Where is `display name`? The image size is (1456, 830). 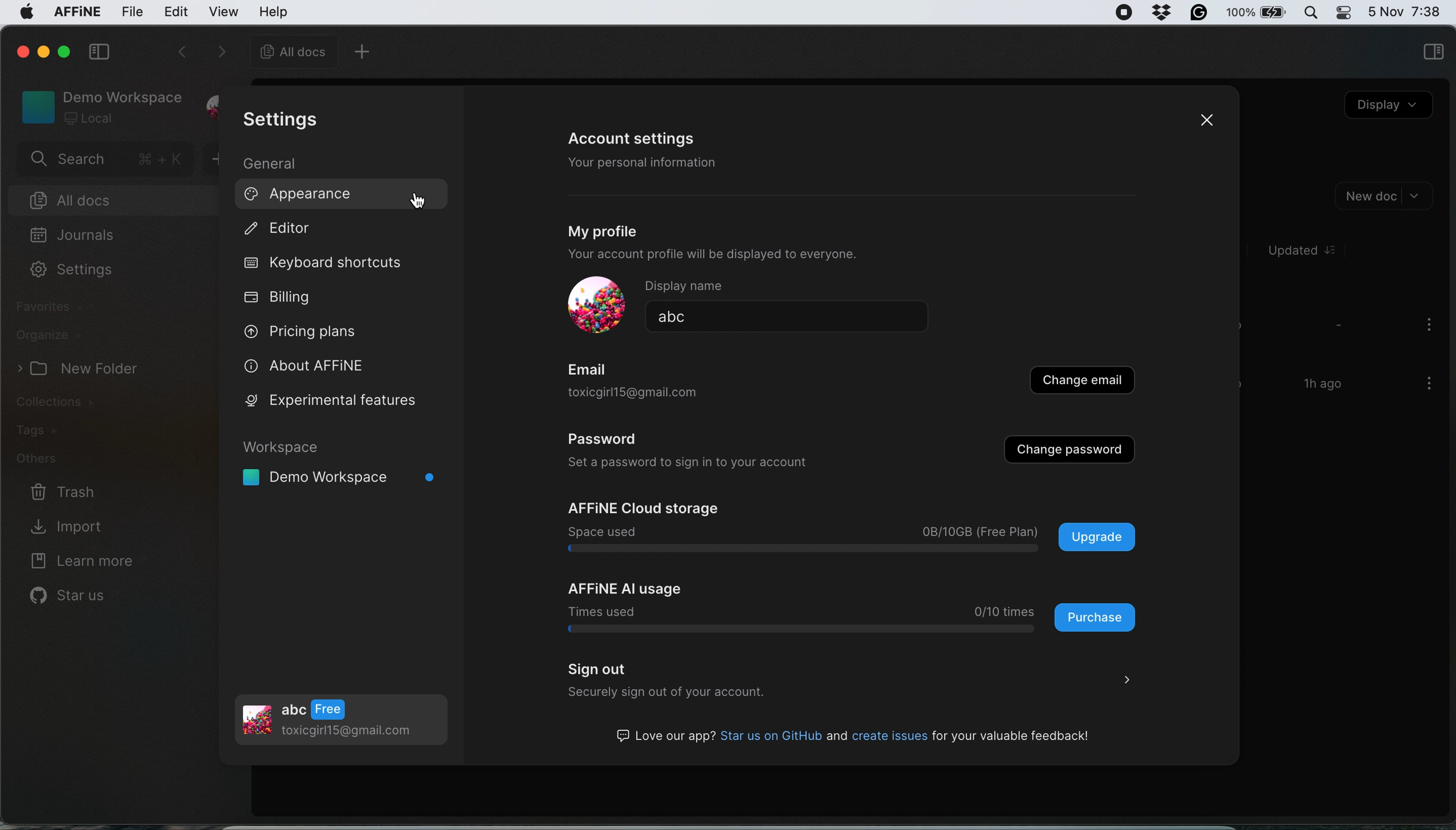 display name is located at coordinates (779, 286).